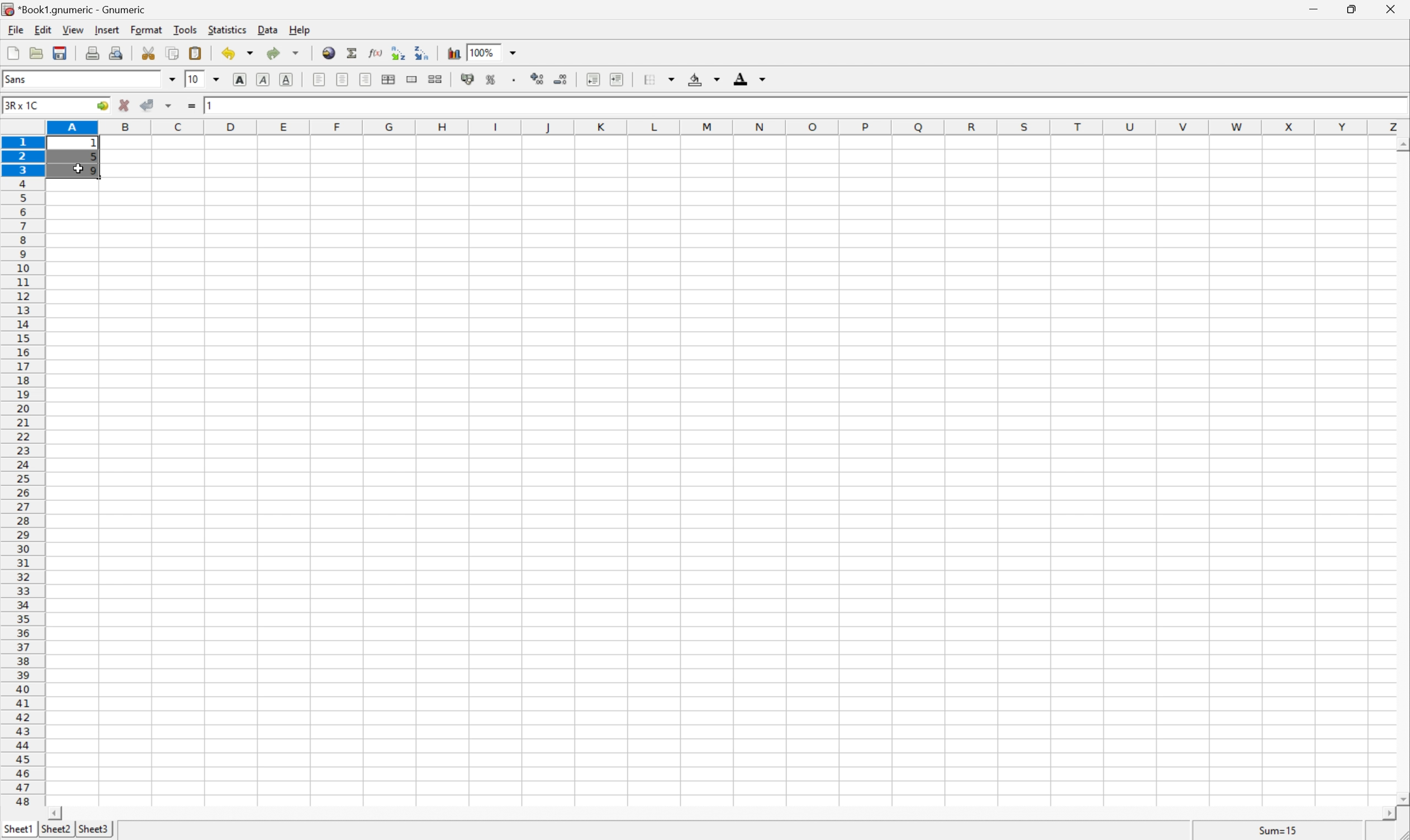 This screenshot has height=840, width=1410. Describe the element at coordinates (169, 106) in the screenshot. I see `accept changes across all selections` at that location.